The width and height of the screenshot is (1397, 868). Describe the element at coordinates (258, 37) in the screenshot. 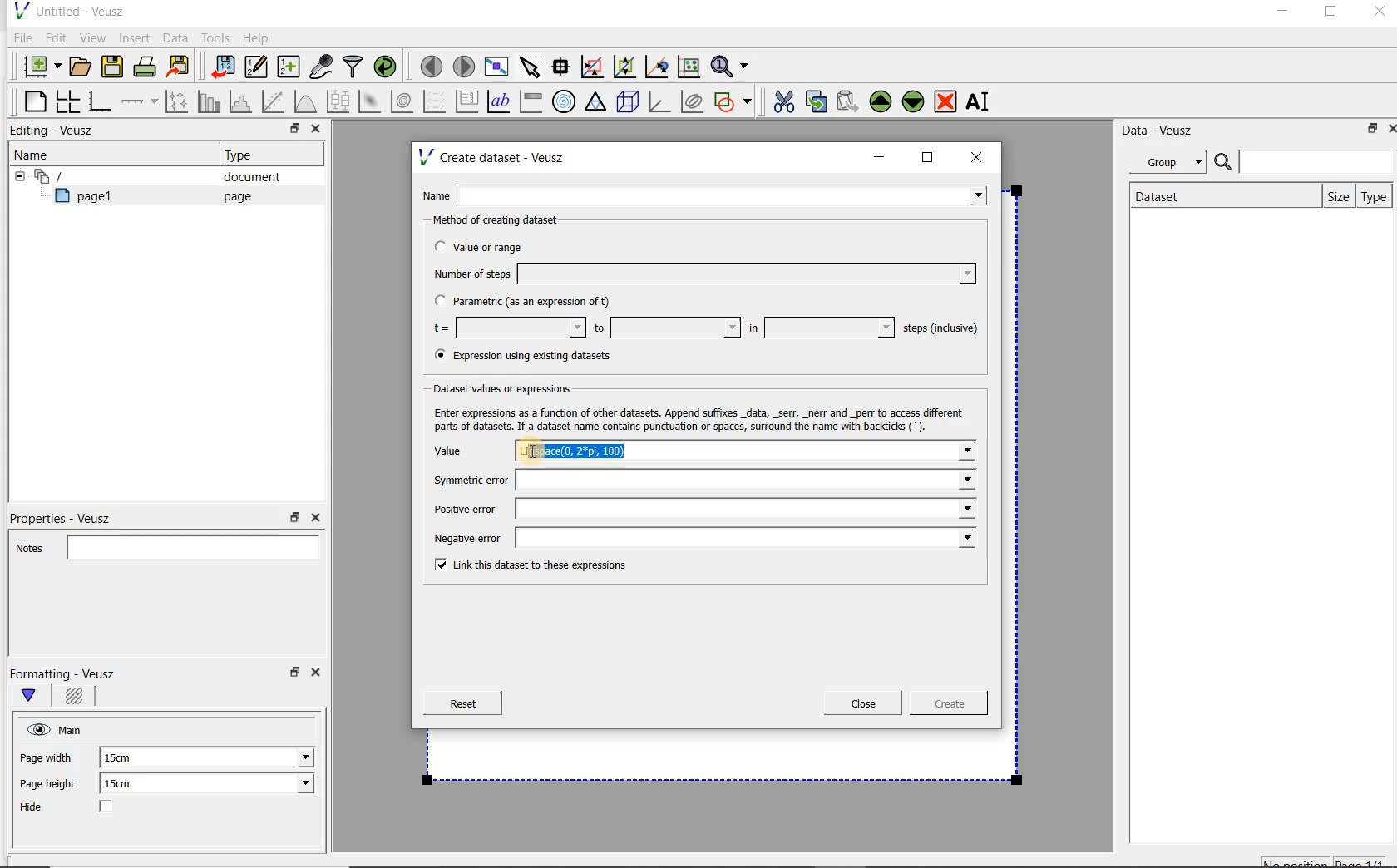

I see `Help` at that location.